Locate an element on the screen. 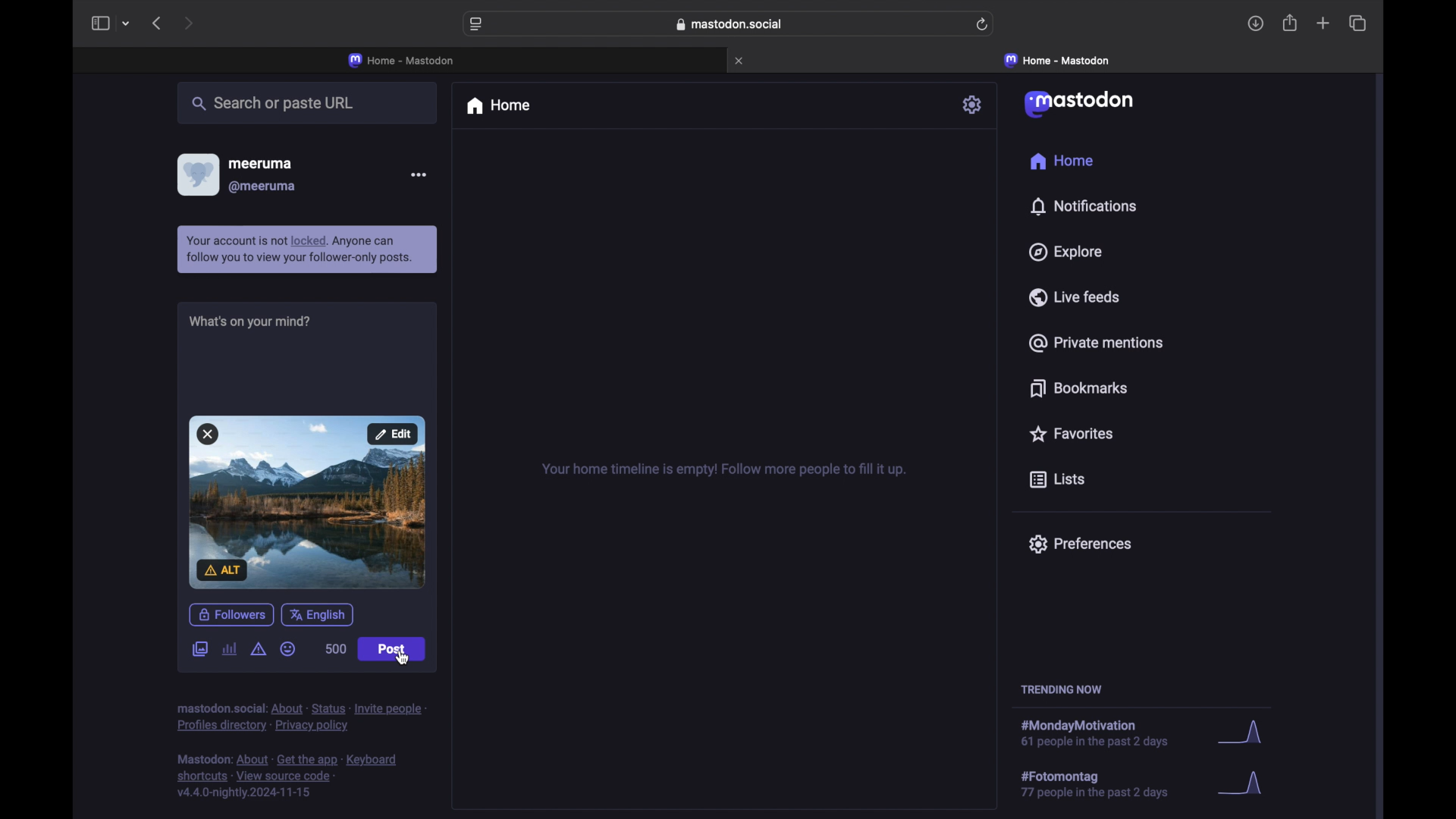  emoji is located at coordinates (290, 651).